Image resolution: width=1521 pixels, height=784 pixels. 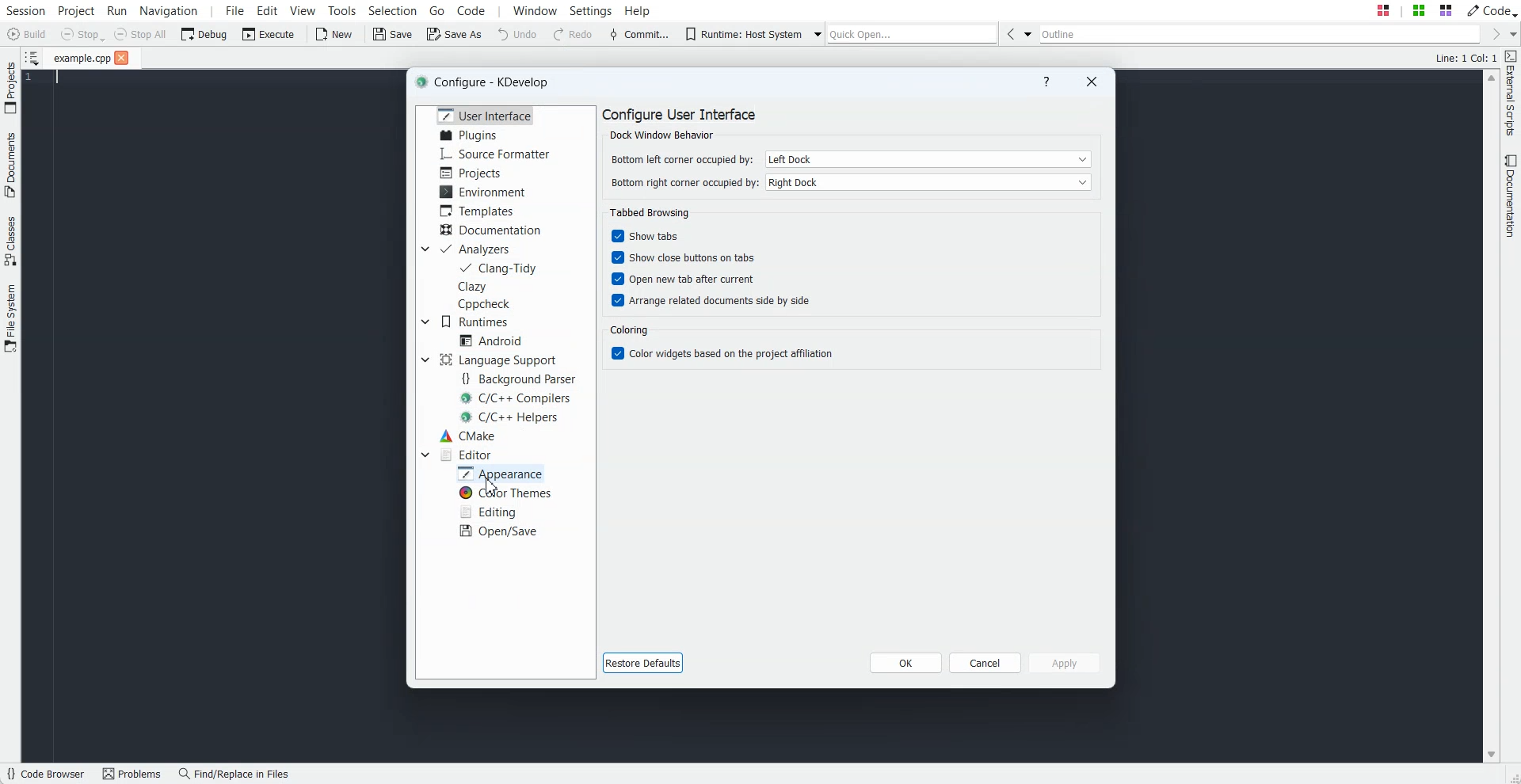 I want to click on Text, so click(x=635, y=330).